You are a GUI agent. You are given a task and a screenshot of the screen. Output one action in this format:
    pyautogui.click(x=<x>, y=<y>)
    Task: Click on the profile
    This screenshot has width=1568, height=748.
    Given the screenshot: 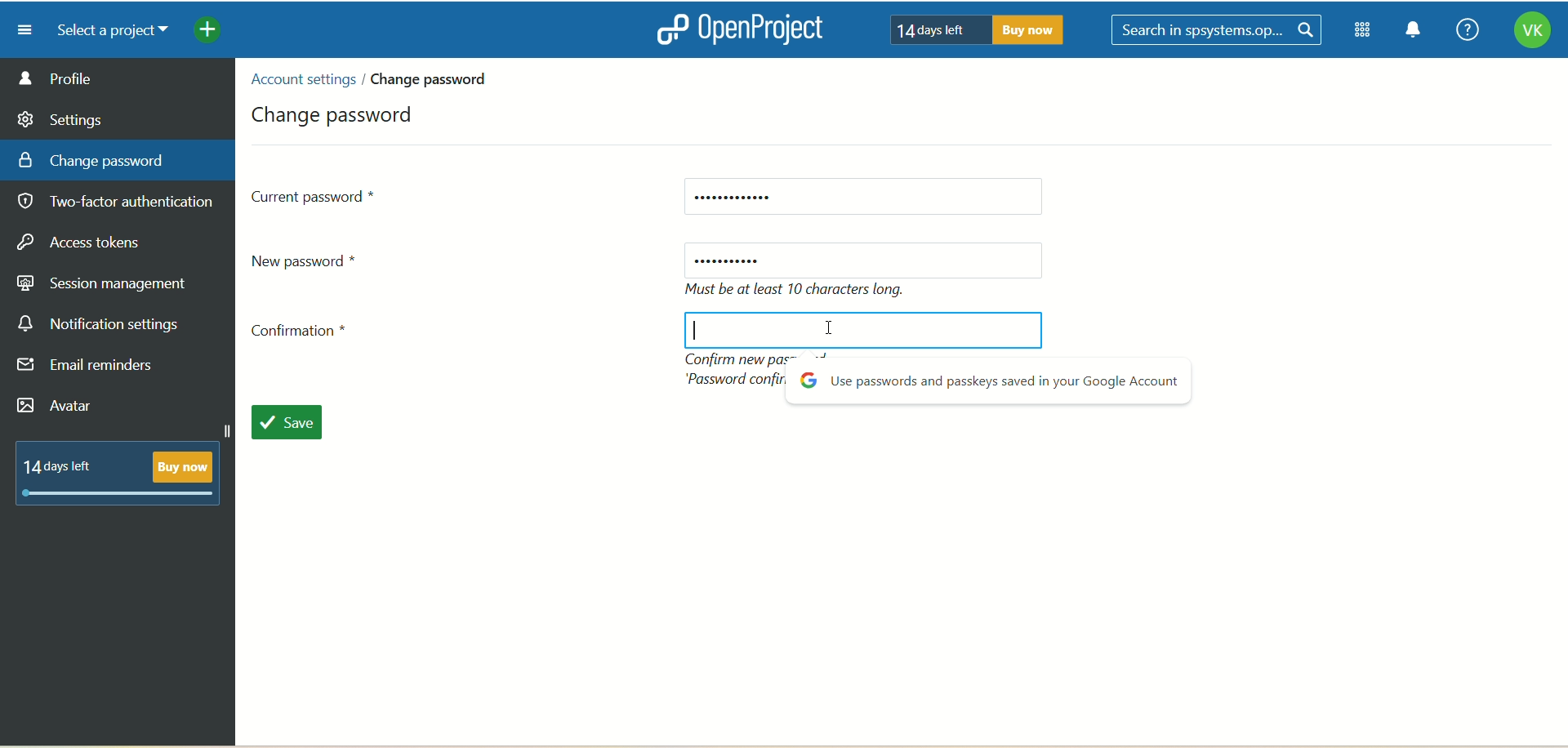 What is the action you would take?
    pyautogui.click(x=118, y=78)
    